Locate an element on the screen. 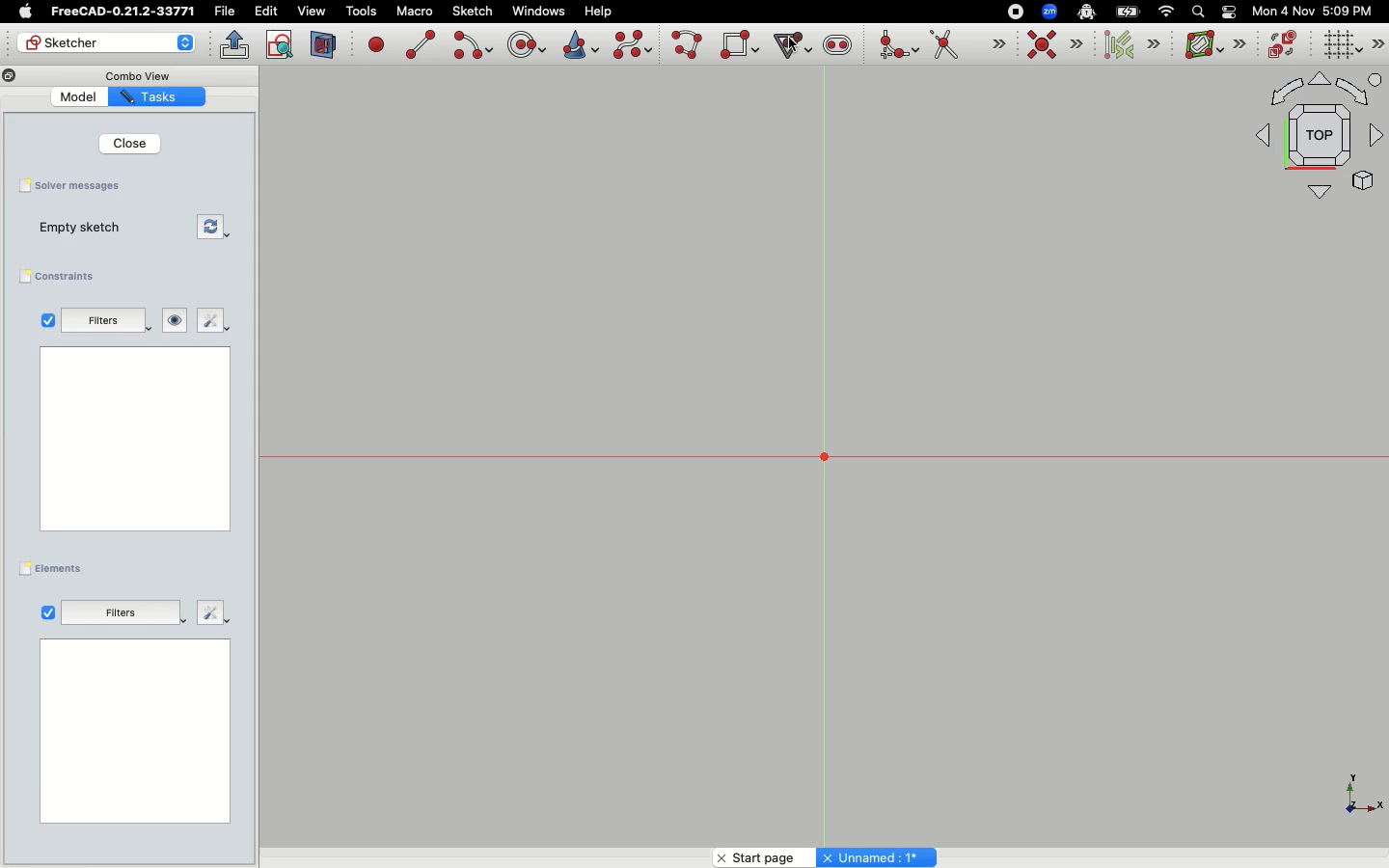  Windows is located at coordinates (538, 12).